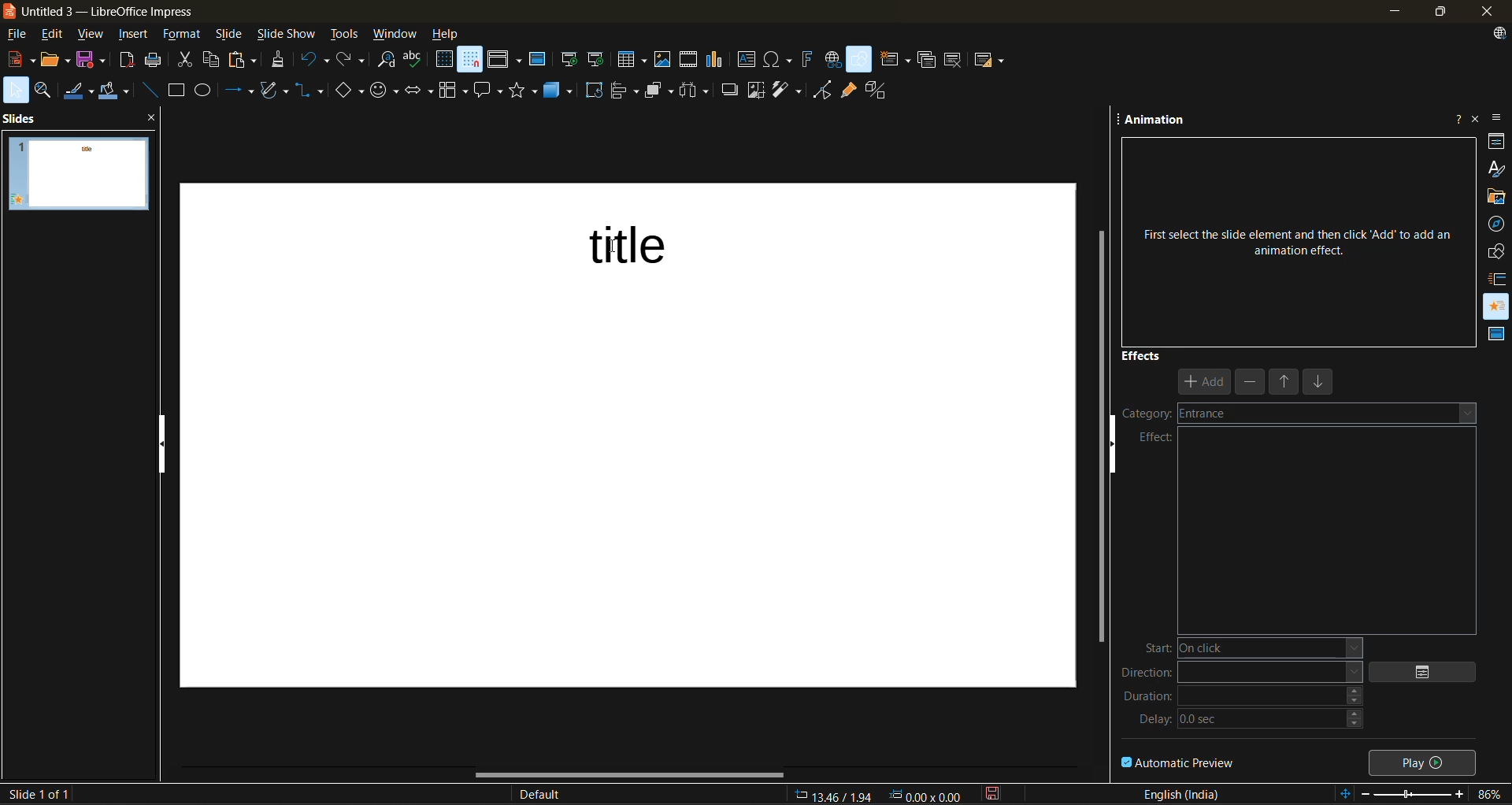 Image resolution: width=1512 pixels, height=805 pixels. What do you see at coordinates (523, 91) in the screenshot?
I see `stars and banners` at bounding box center [523, 91].